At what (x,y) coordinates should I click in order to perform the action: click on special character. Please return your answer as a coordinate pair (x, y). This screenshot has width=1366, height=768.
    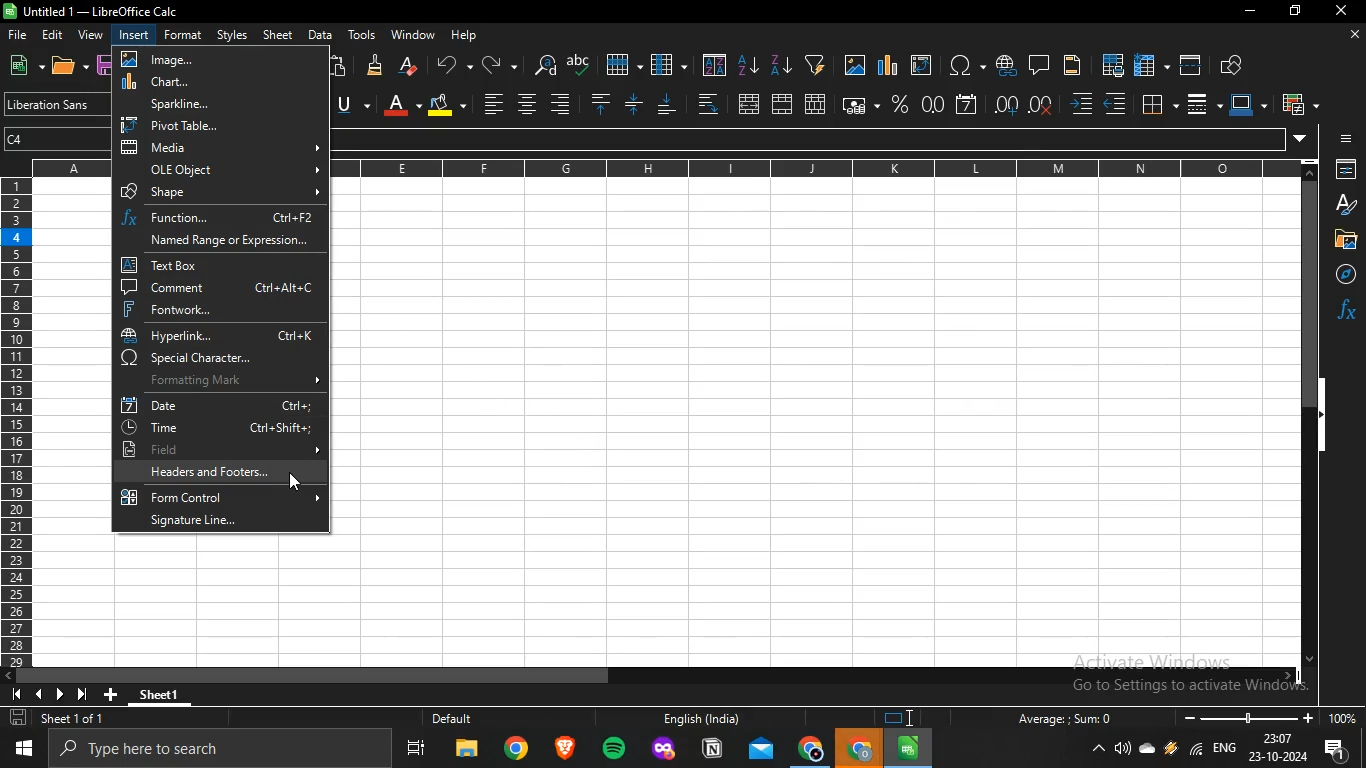
    Looking at the image, I should click on (218, 358).